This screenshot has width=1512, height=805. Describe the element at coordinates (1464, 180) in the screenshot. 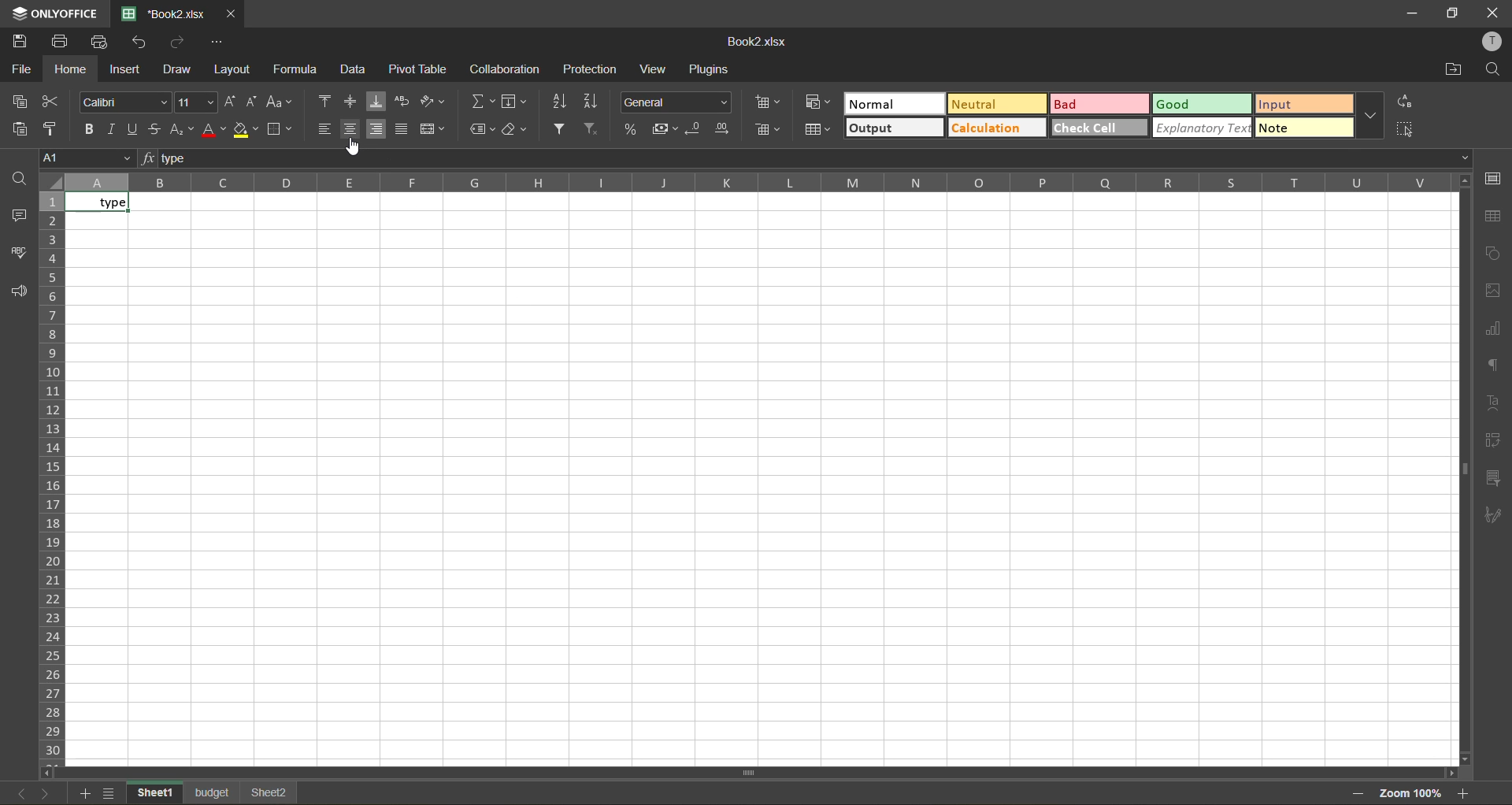

I see `move up` at that location.